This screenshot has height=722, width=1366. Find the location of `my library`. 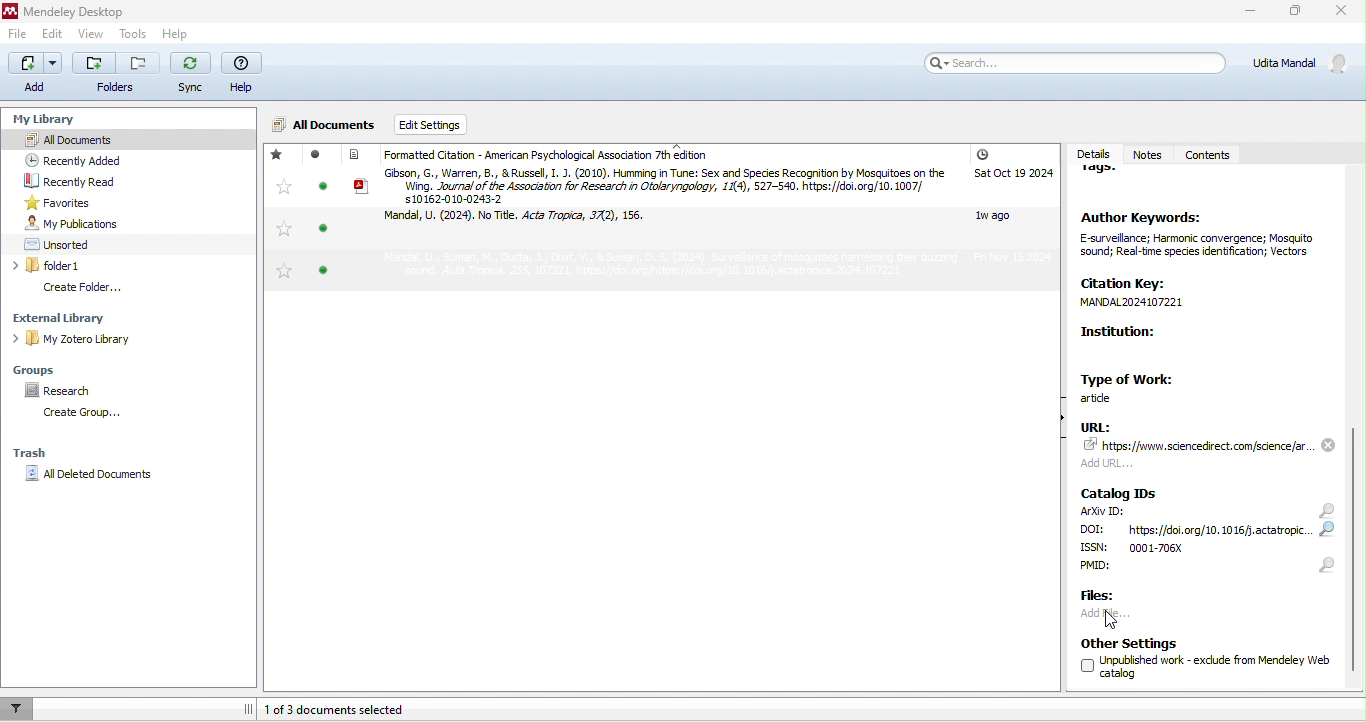

my library is located at coordinates (41, 115).